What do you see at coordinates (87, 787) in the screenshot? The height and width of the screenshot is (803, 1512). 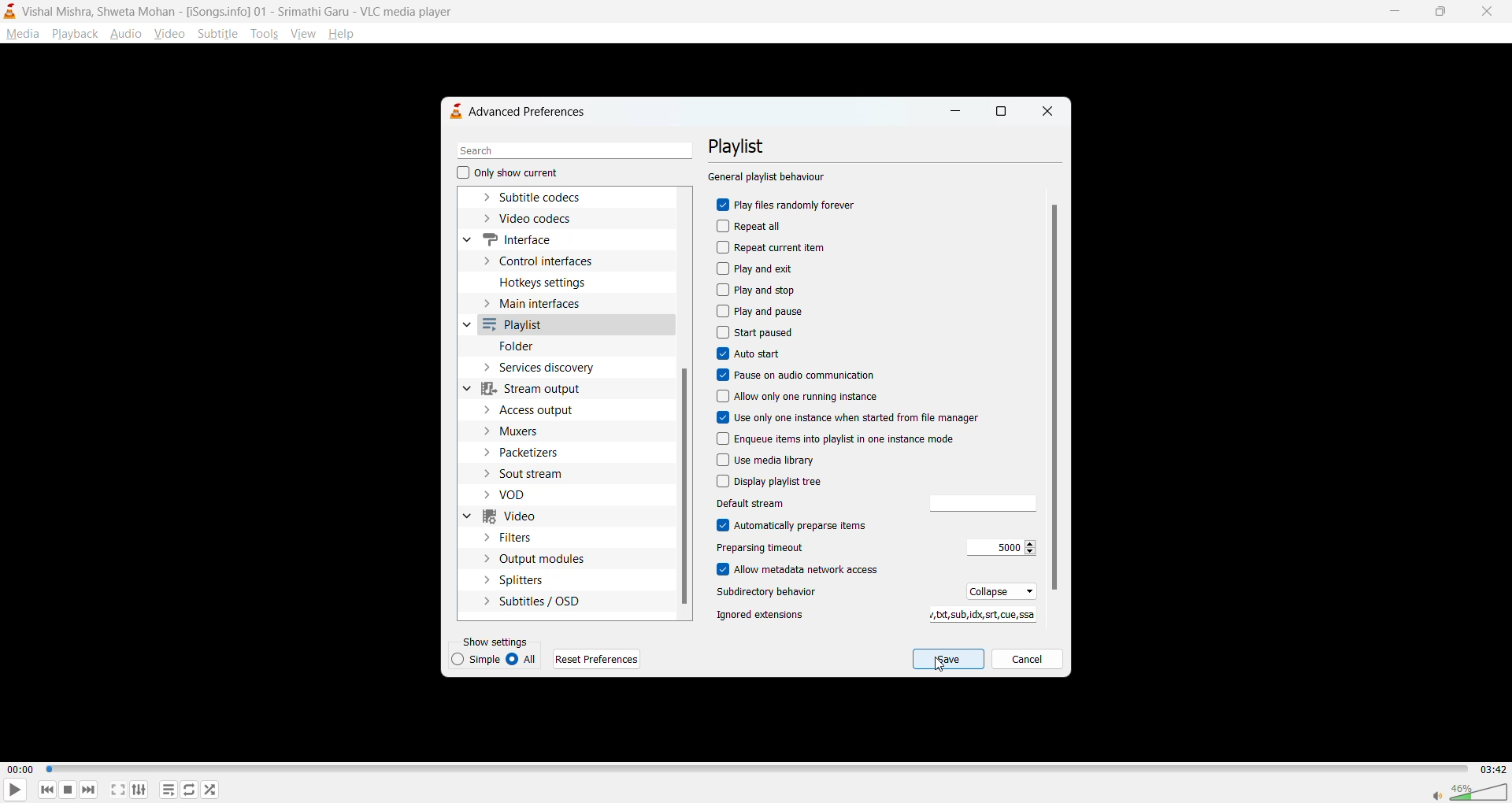 I see `next` at bounding box center [87, 787].